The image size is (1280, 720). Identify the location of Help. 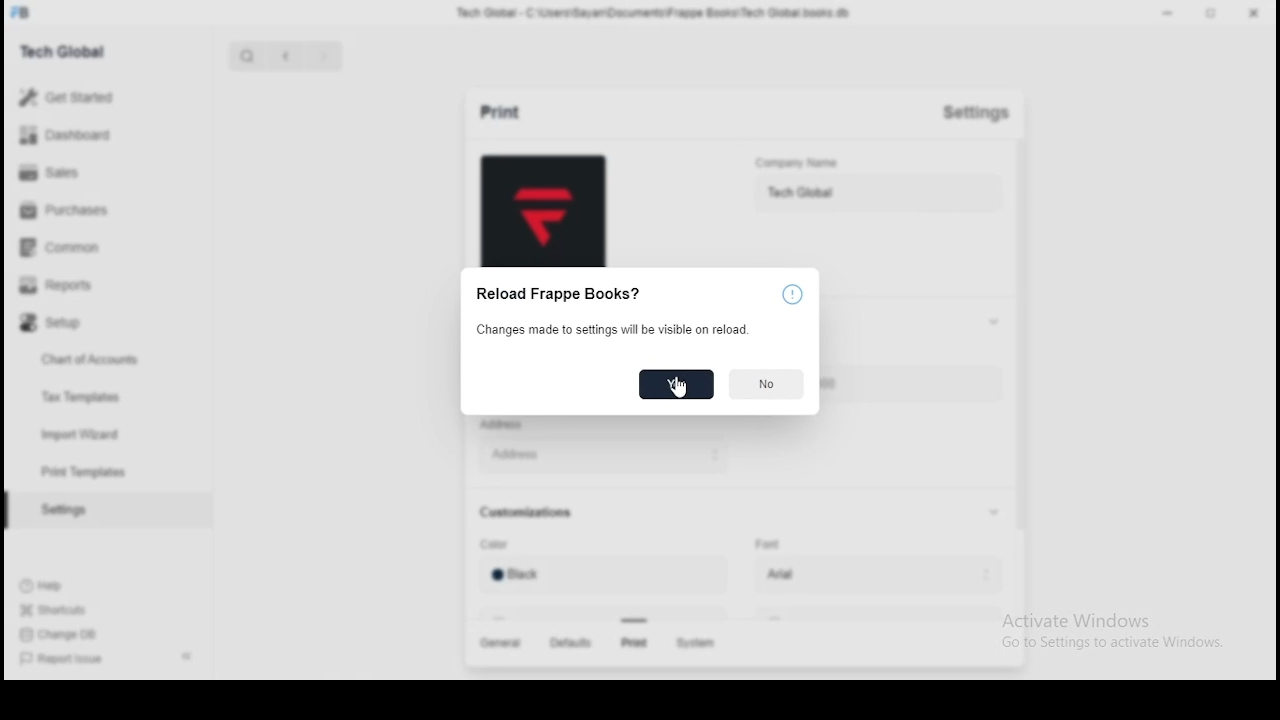
(56, 588).